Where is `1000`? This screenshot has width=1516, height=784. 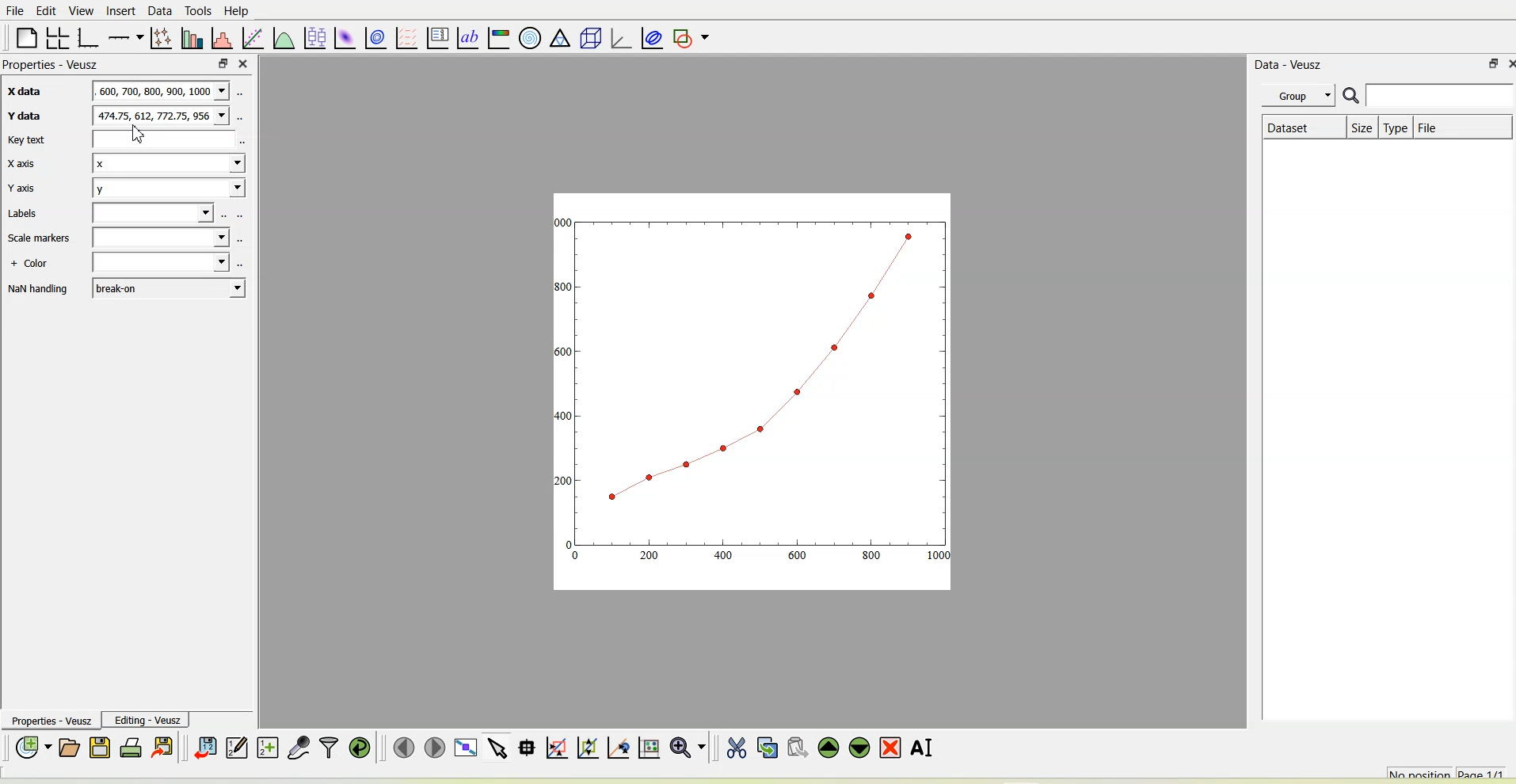 1000 is located at coordinates (939, 555).